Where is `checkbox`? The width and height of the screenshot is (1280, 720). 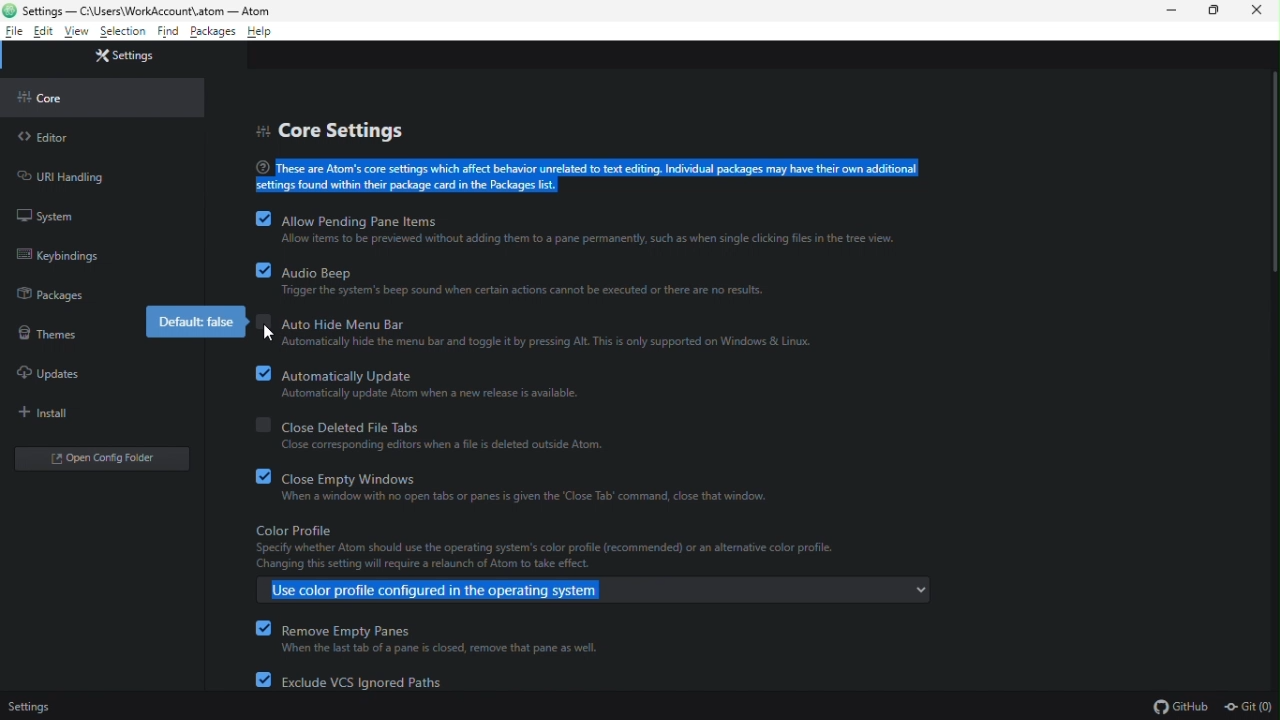 checkbox is located at coordinates (263, 328).